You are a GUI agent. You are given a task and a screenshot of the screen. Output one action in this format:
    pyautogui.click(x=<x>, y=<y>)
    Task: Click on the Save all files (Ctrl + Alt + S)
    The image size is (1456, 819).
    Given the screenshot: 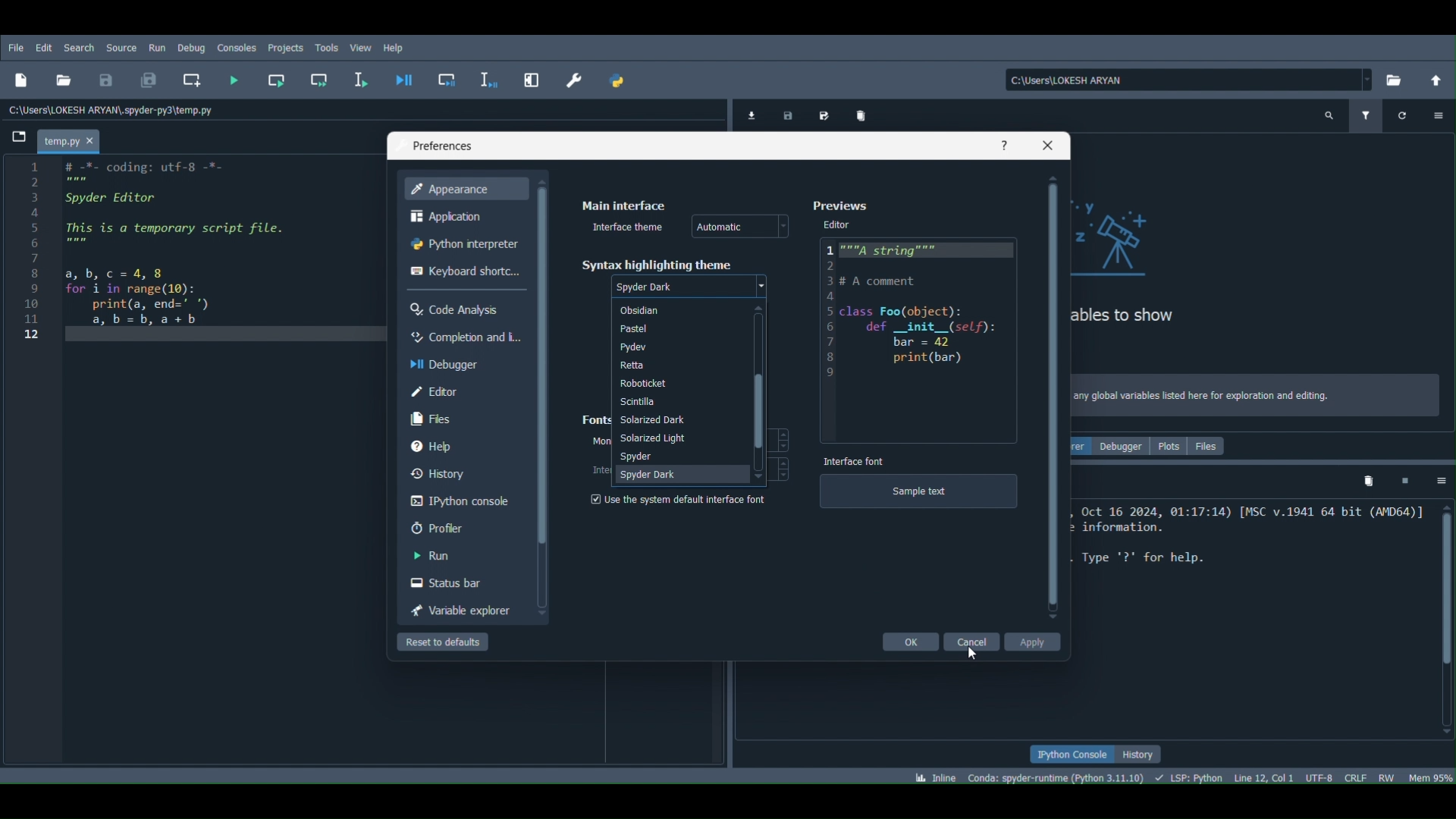 What is the action you would take?
    pyautogui.click(x=149, y=77)
    